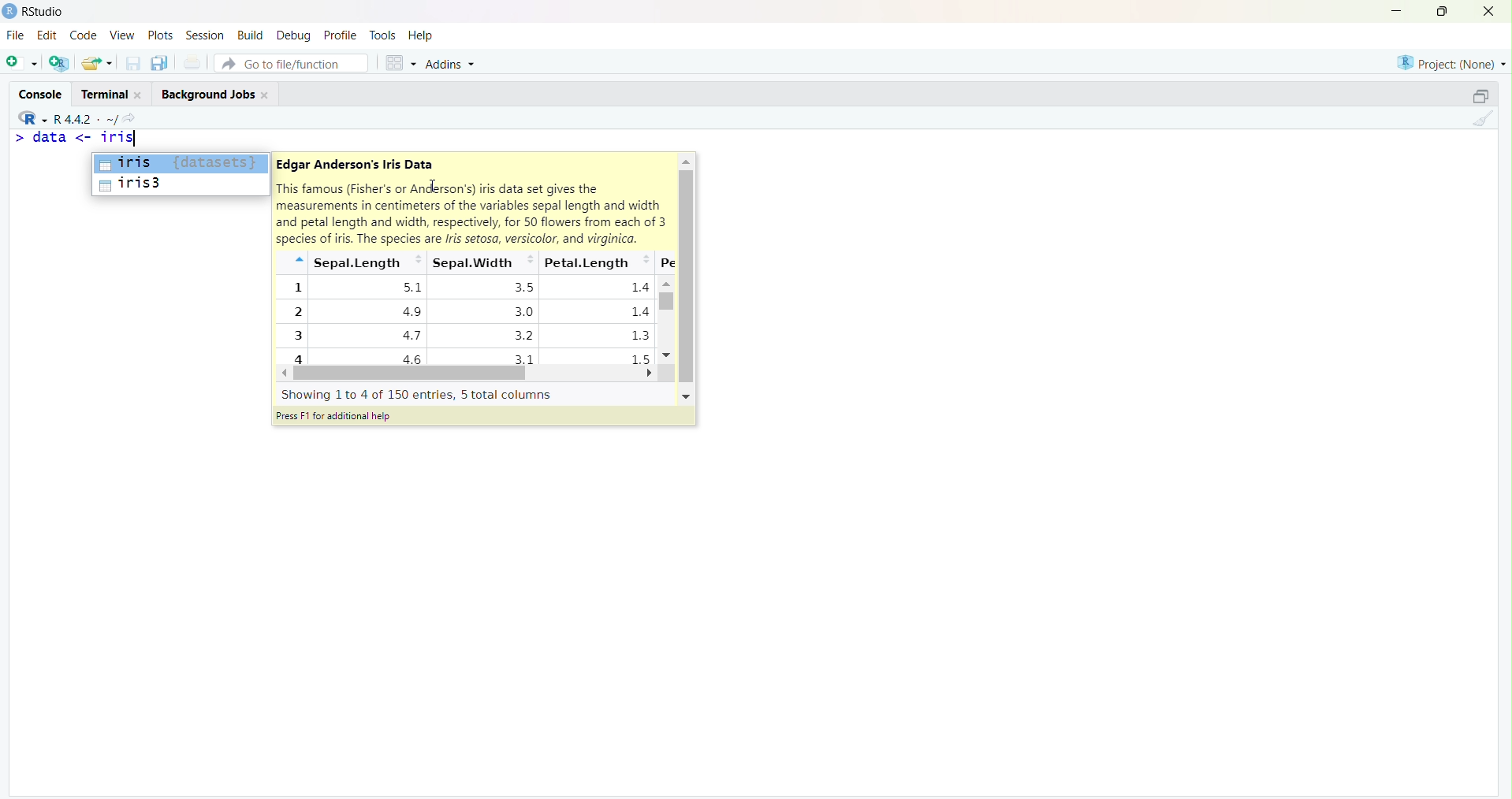 Image resolution: width=1512 pixels, height=799 pixels. I want to click on RStudio logo, so click(29, 117).